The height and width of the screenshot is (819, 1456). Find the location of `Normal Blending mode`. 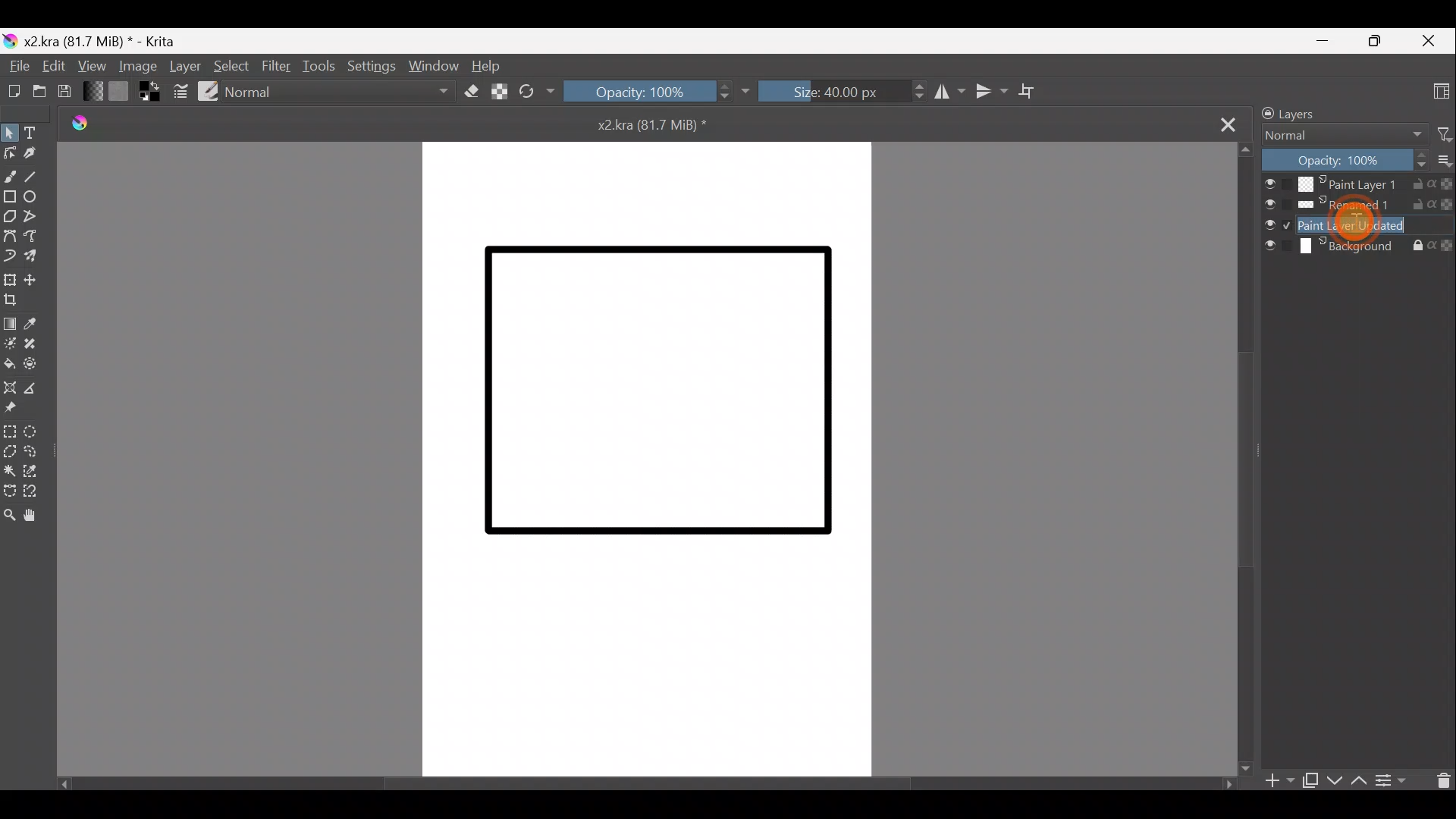

Normal Blending mode is located at coordinates (1341, 136).